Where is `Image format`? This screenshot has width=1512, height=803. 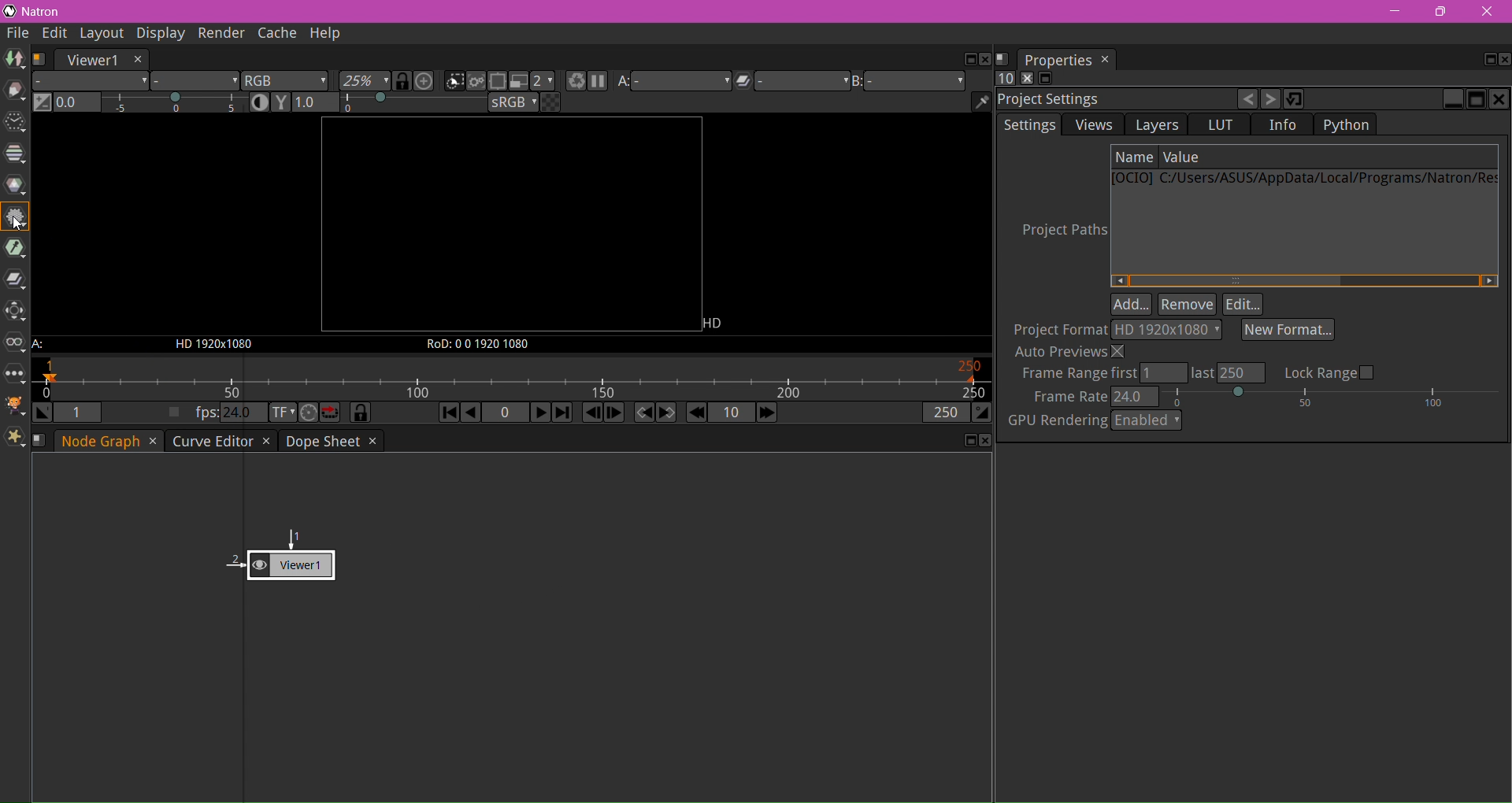 Image format is located at coordinates (718, 322).